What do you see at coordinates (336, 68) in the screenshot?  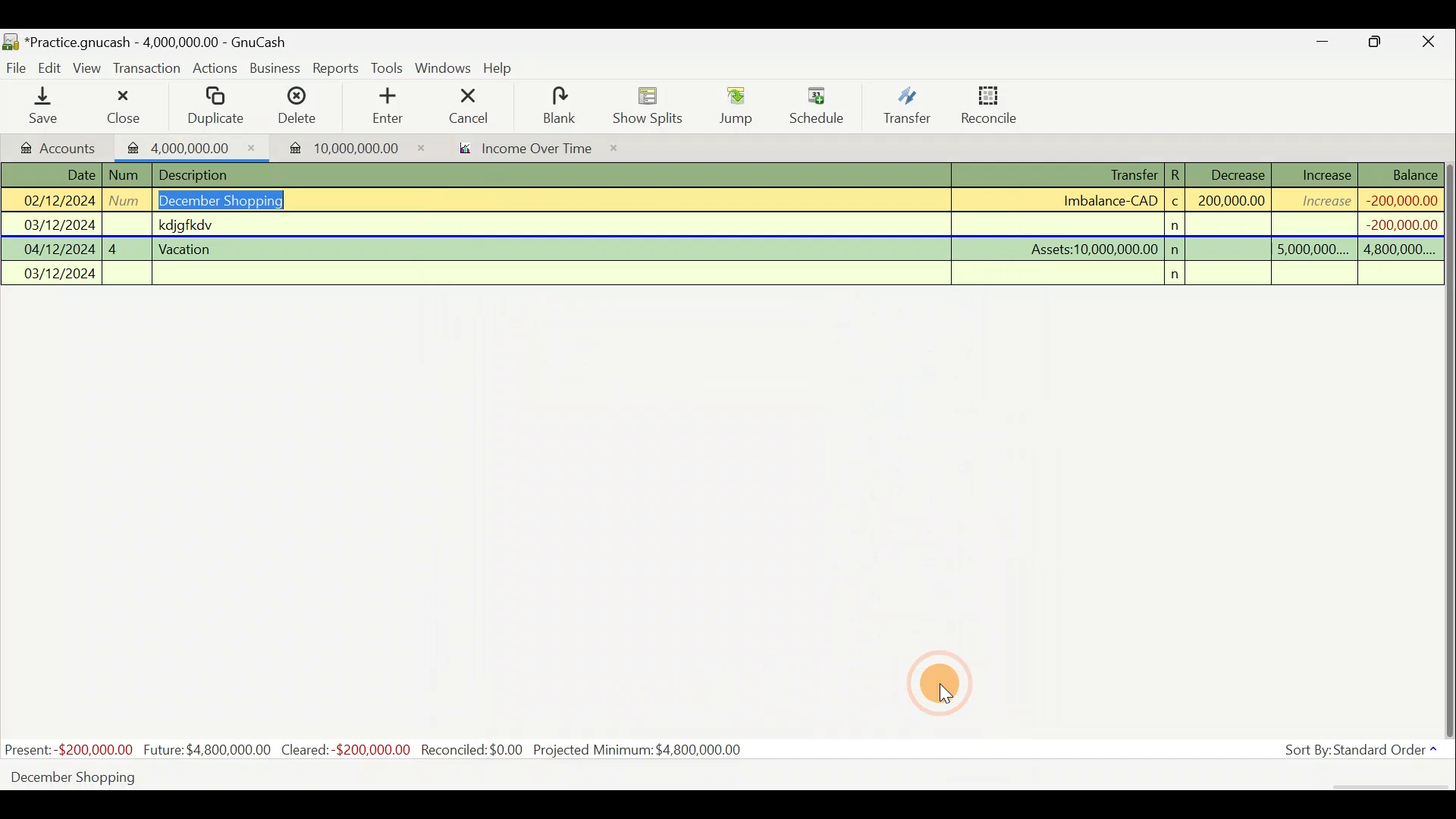 I see `Reports` at bounding box center [336, 68].